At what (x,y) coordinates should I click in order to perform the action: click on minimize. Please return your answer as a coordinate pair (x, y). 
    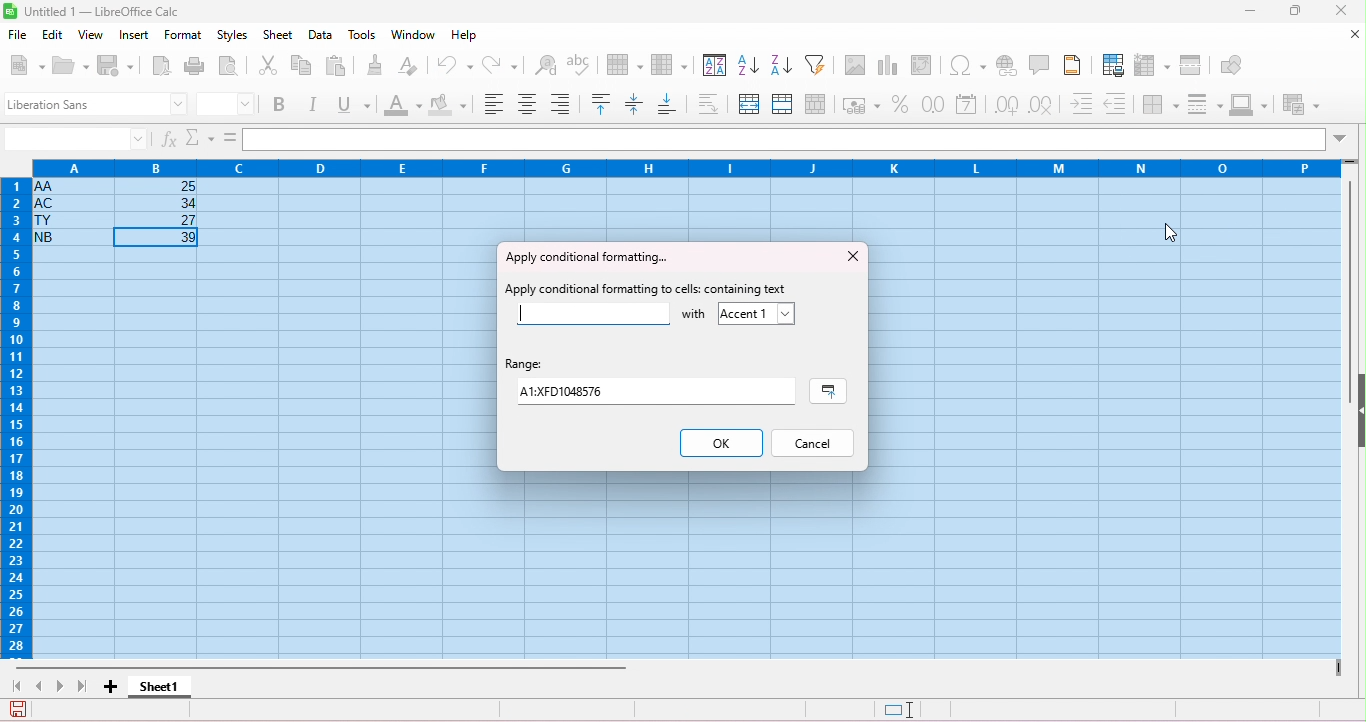
    Looking at the image, I should click on (1249, 12).